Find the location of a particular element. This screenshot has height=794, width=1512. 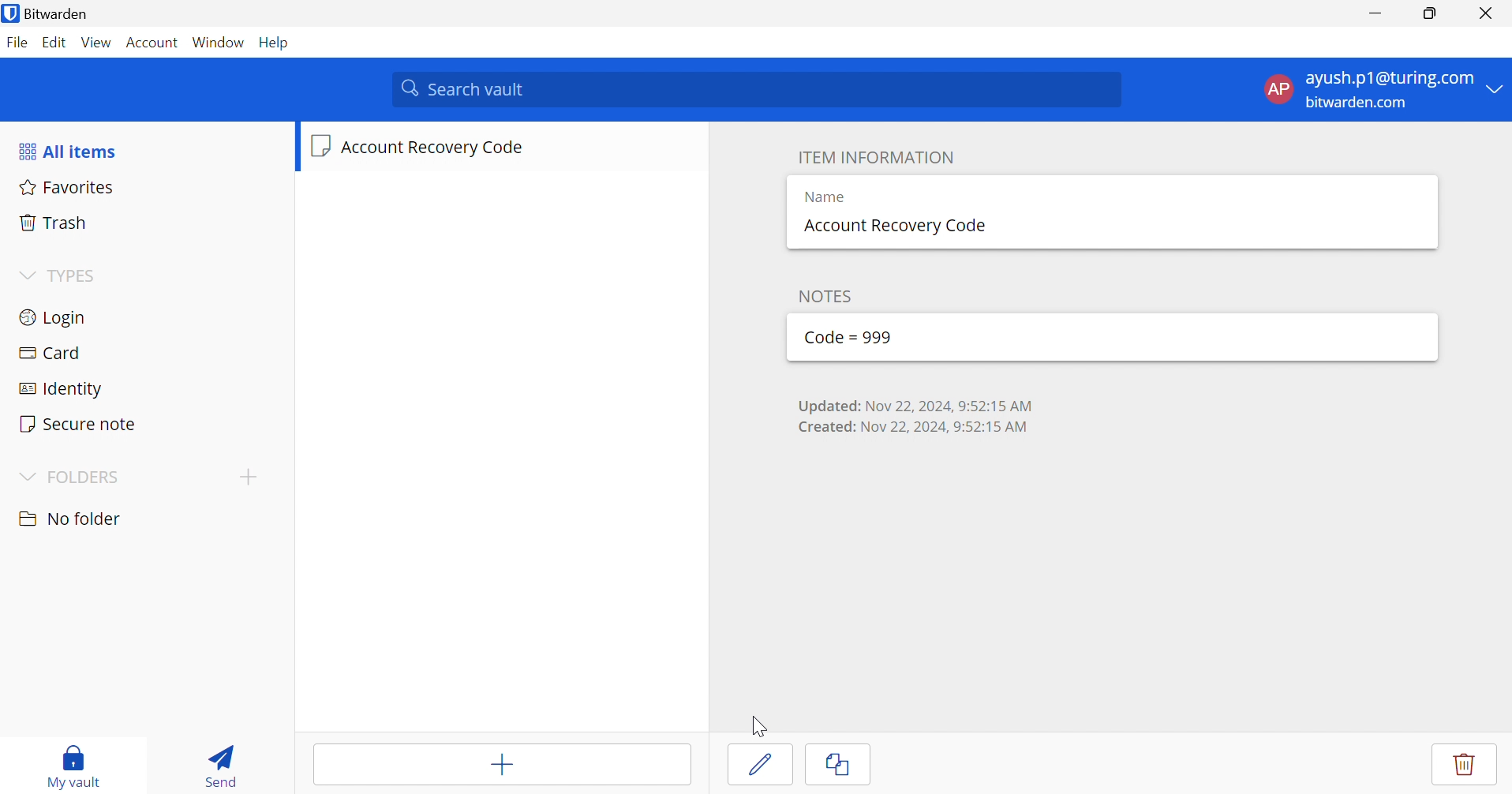

bitwarden.com is located at coordinates (1356, 103).